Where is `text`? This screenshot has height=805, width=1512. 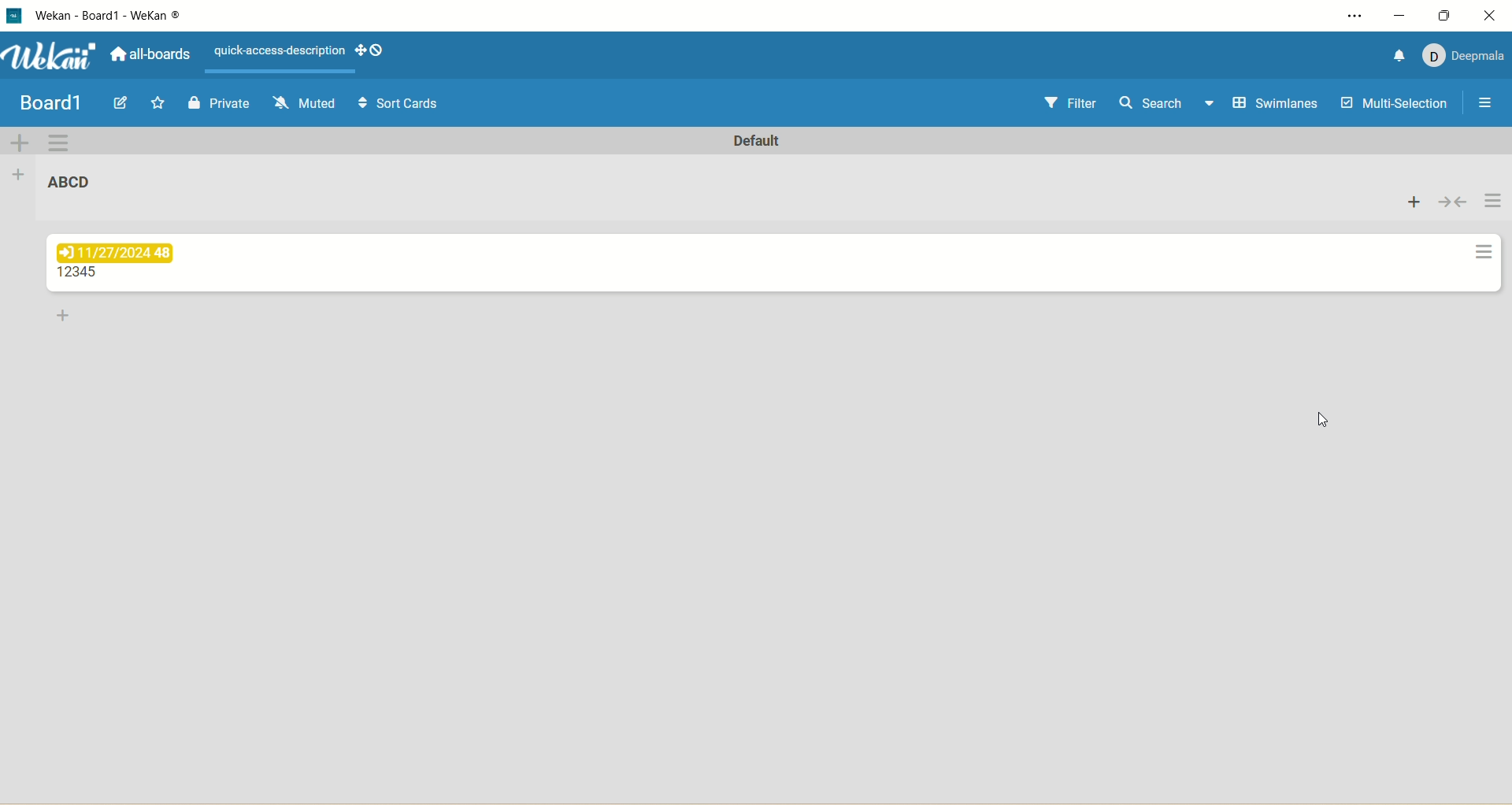
text is located at coordinates (280, 51).